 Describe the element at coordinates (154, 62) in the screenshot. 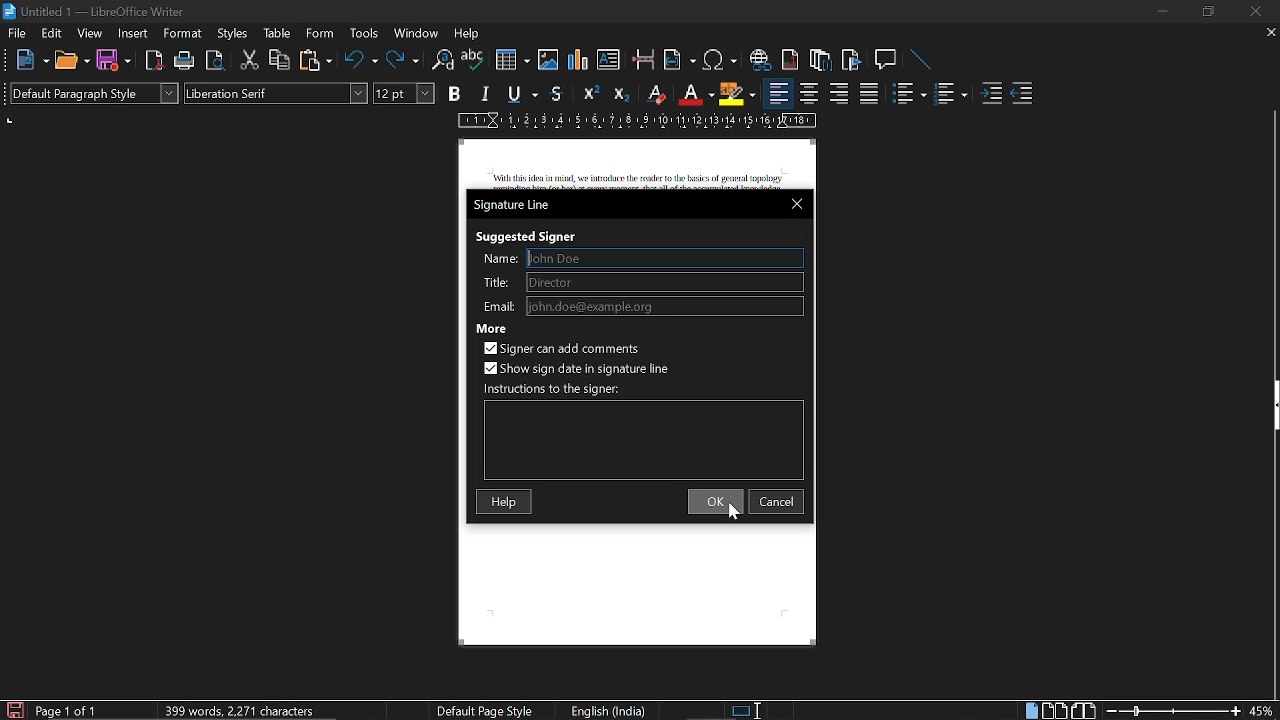

I see `export as pdf` at that location.